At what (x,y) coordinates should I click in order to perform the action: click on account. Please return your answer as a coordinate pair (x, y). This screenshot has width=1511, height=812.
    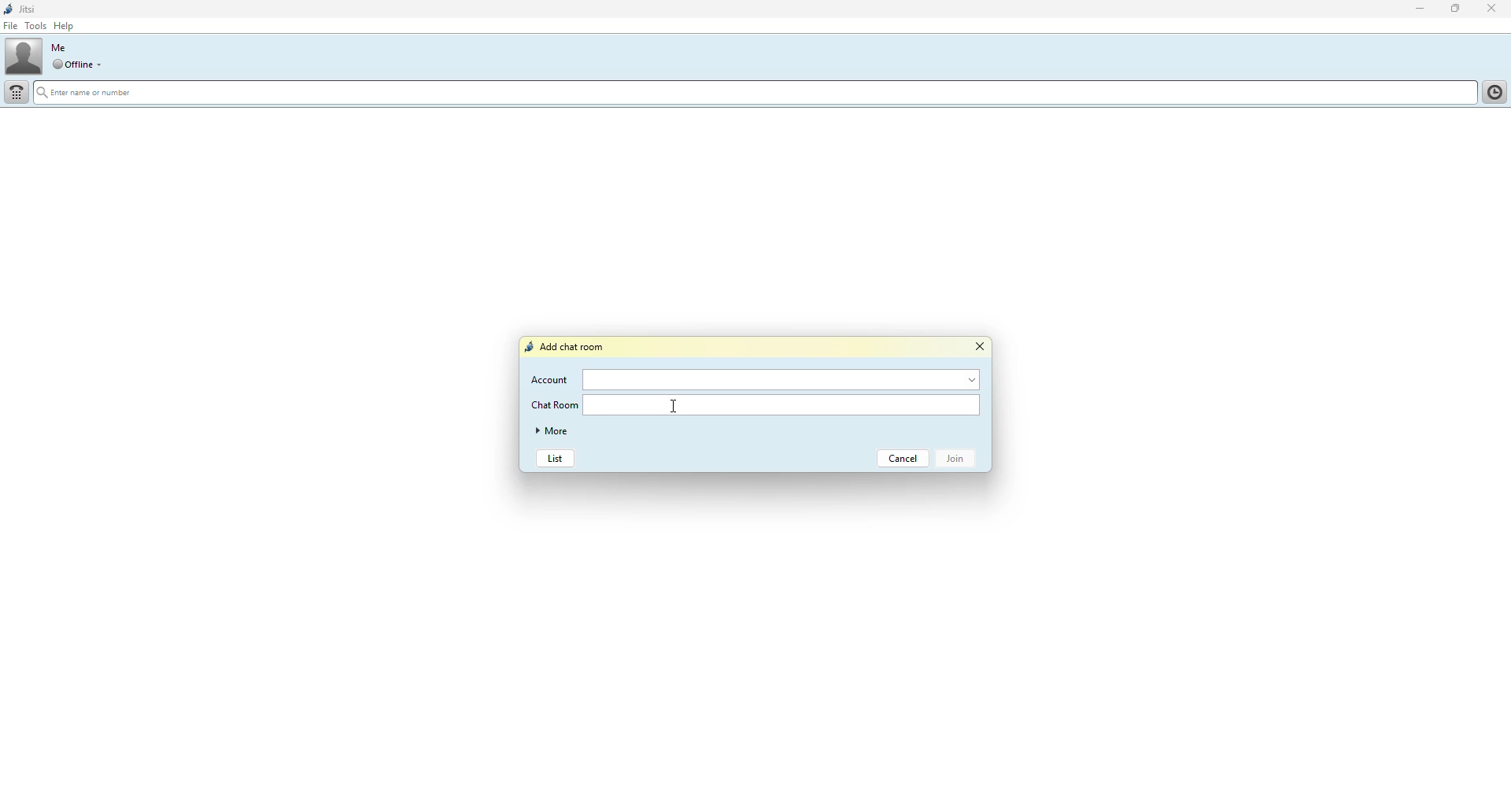
    Looking at the image, I should click on (785, 378).